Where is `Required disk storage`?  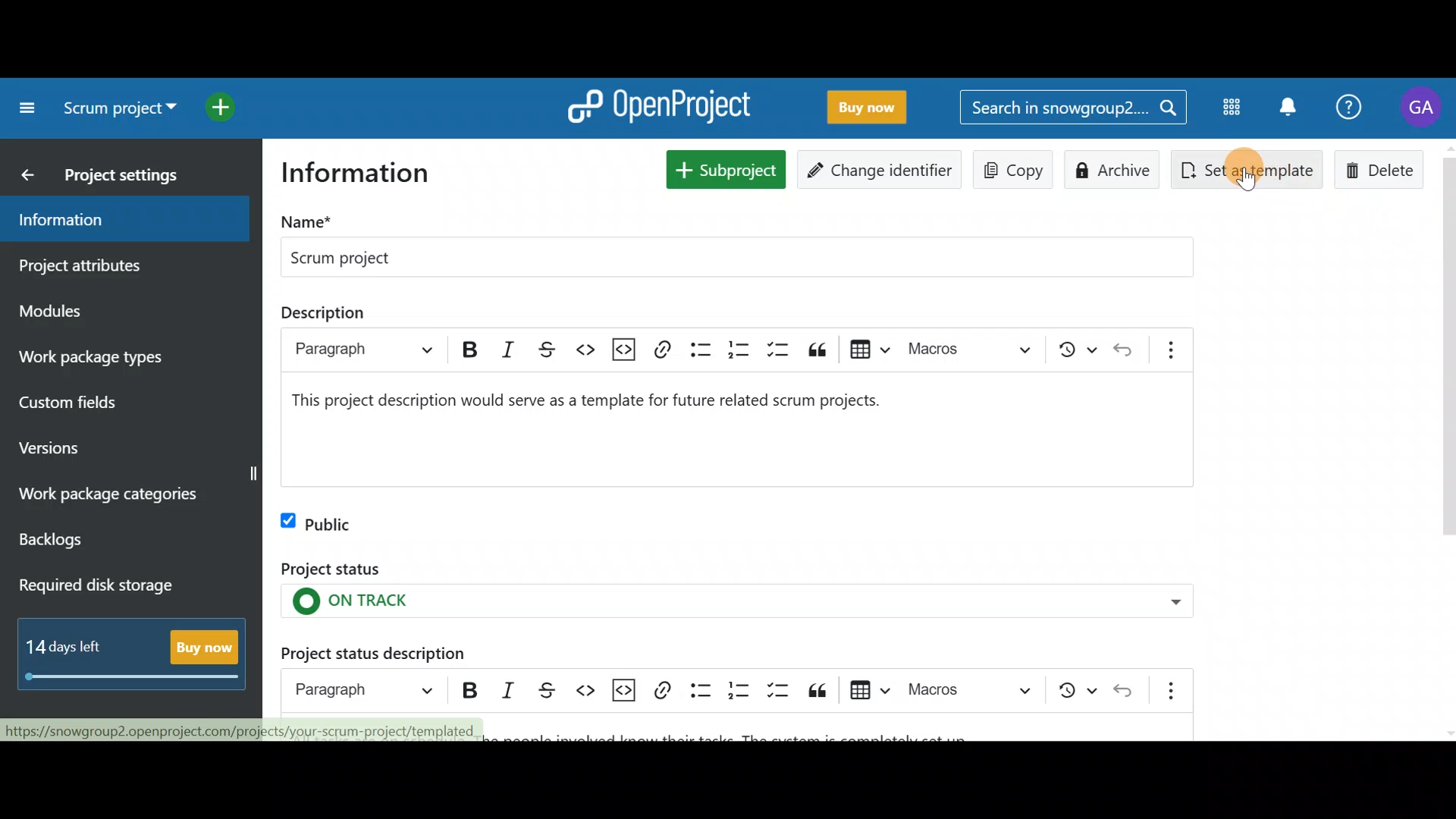
Required disk storage is located at coordinates (127, 587).